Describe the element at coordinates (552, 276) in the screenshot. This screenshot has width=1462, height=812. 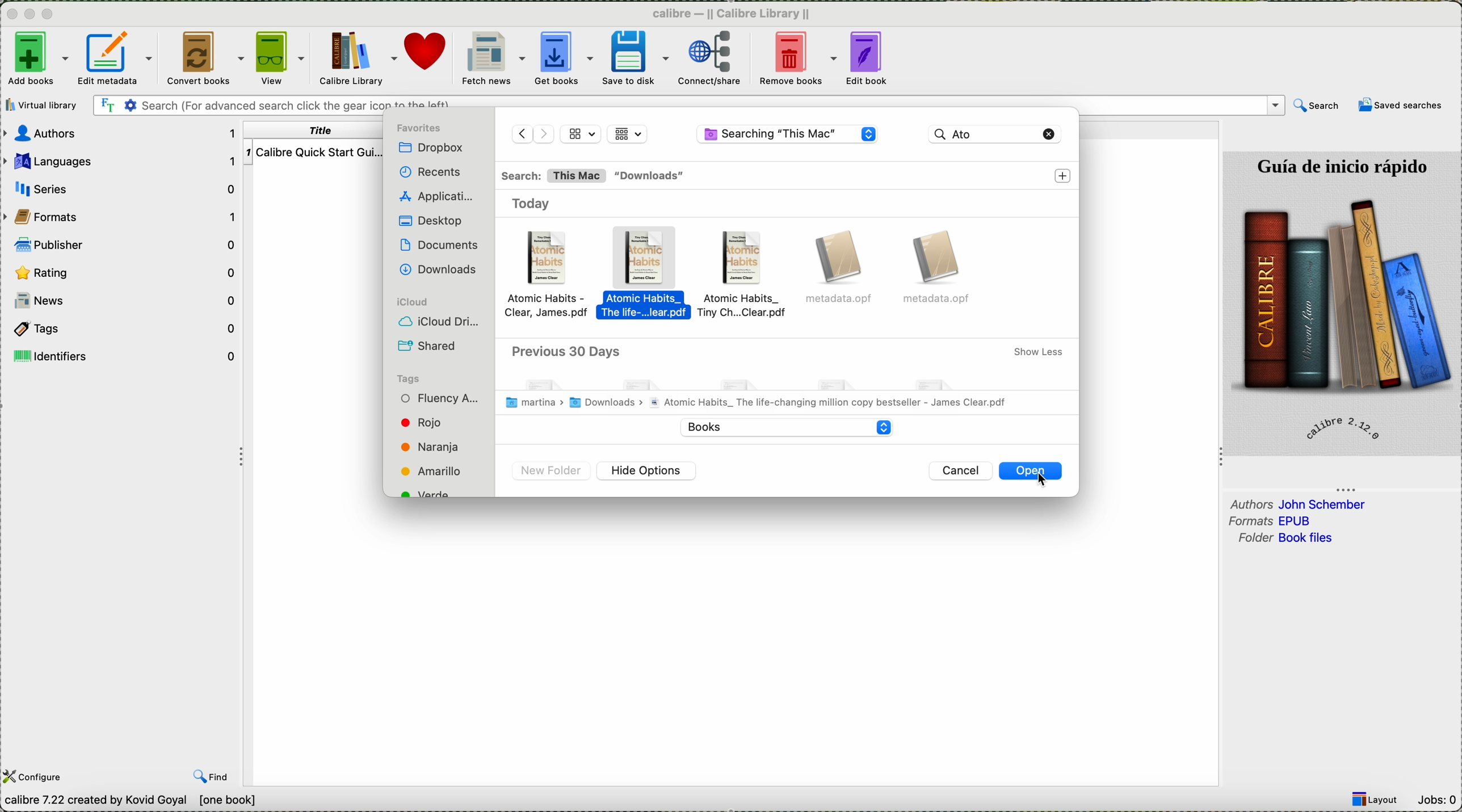
I see `file` at that location.